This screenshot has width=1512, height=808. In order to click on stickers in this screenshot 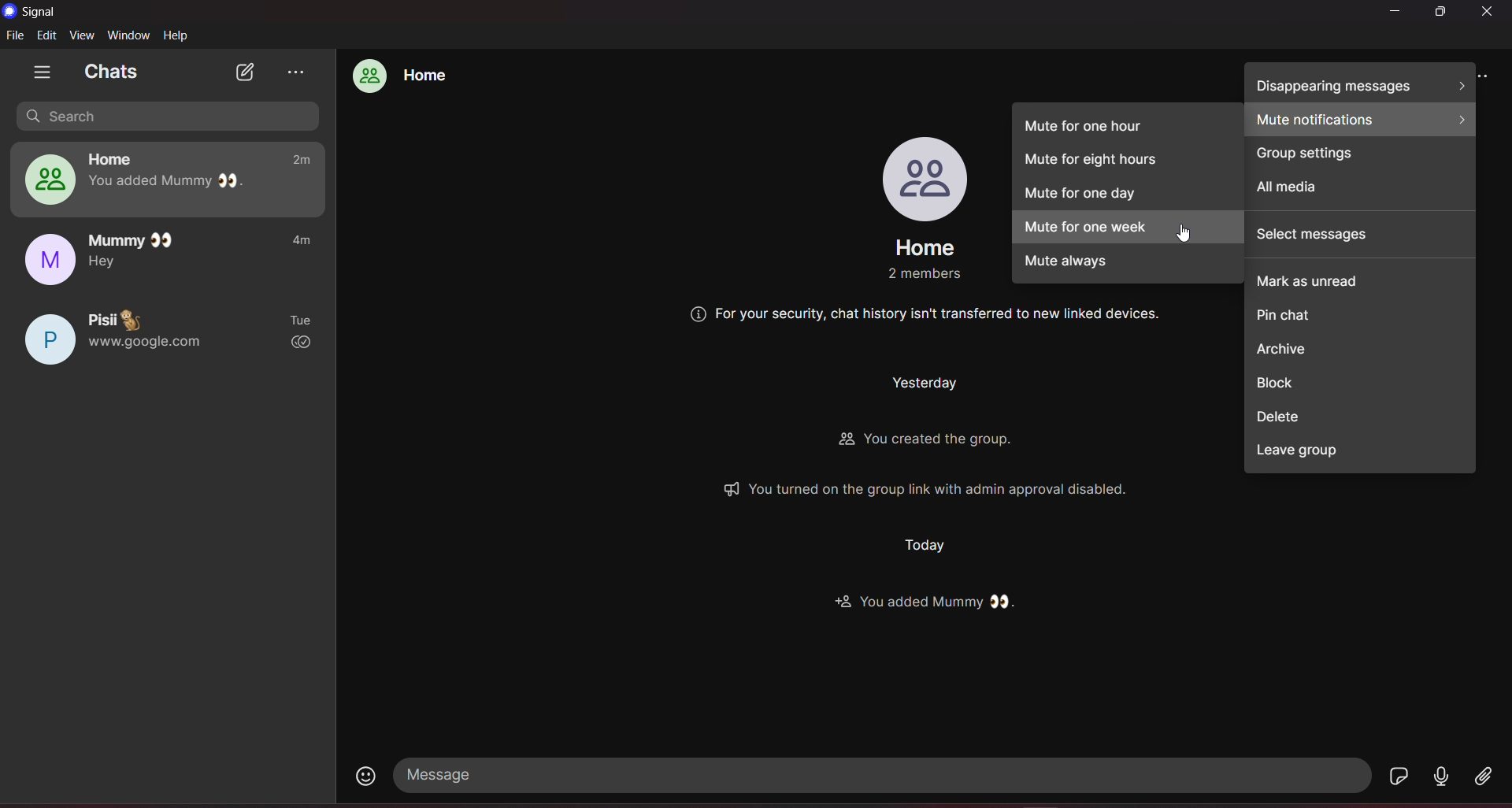, I will do `click(1399, 776)`.